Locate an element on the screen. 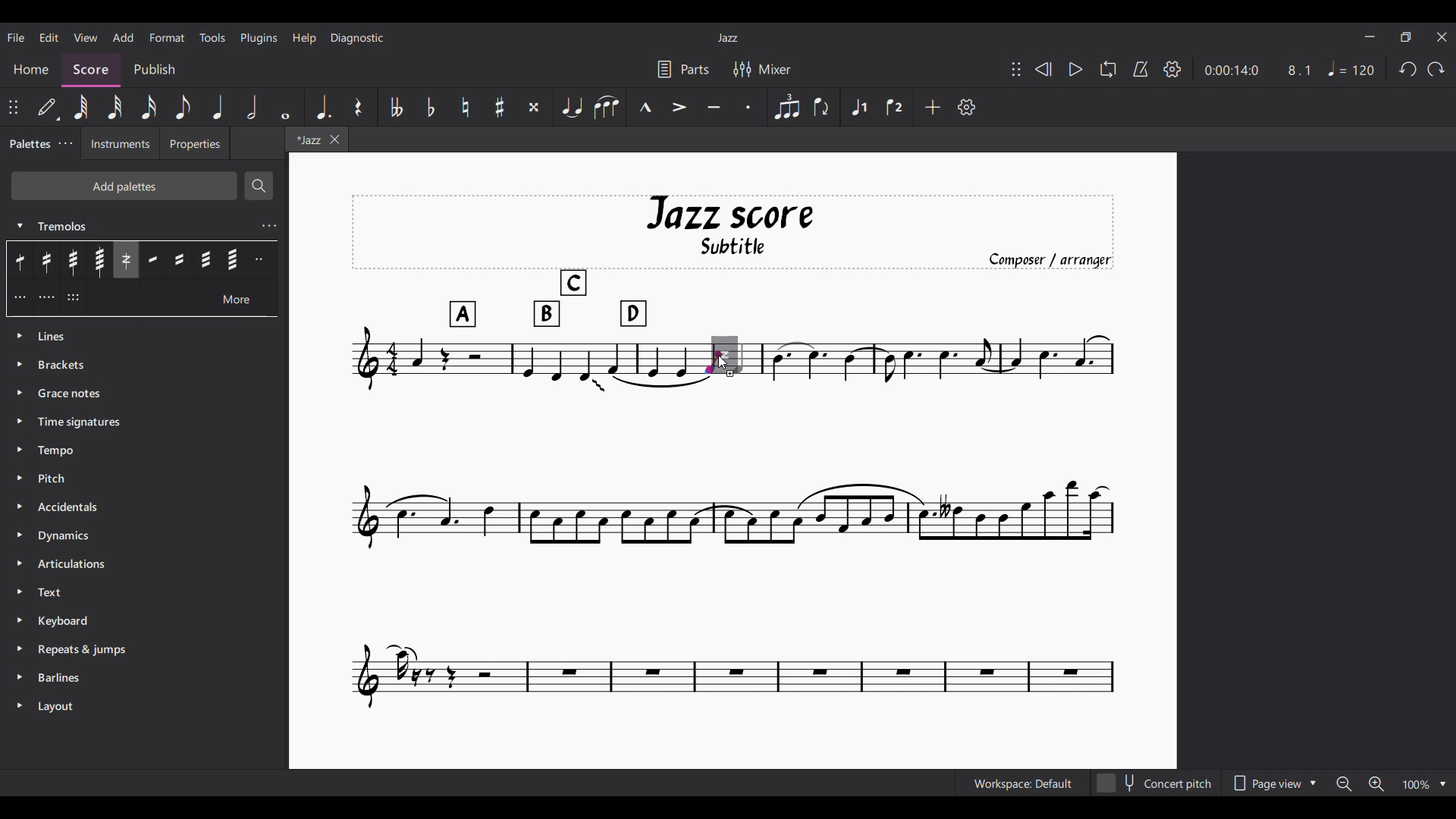 Image resolution: width=1456 pixels, height=819 pixels. Keyboard  is located at coordinates (142, 621).